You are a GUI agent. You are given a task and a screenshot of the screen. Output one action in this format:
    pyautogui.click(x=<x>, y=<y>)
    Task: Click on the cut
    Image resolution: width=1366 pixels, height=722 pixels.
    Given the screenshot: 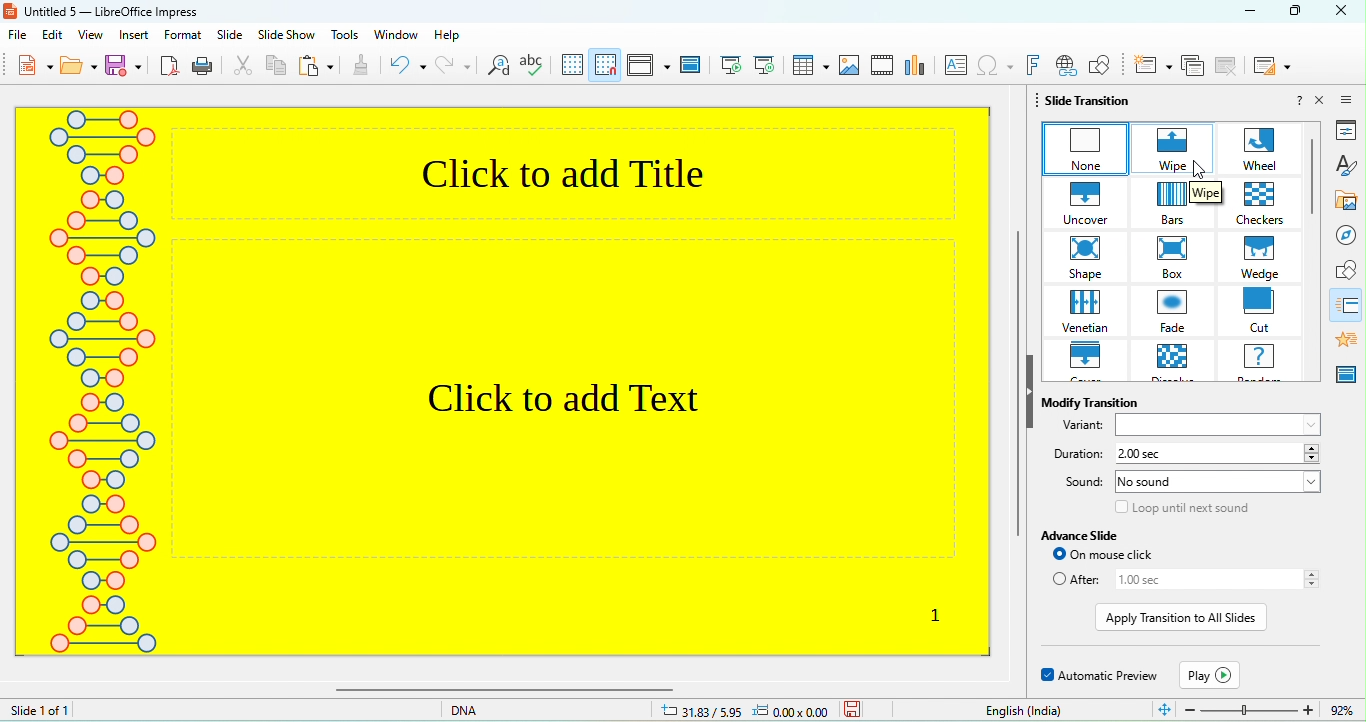 What is the action you would take?
    pyautogui.click(x=242, y=67)
    